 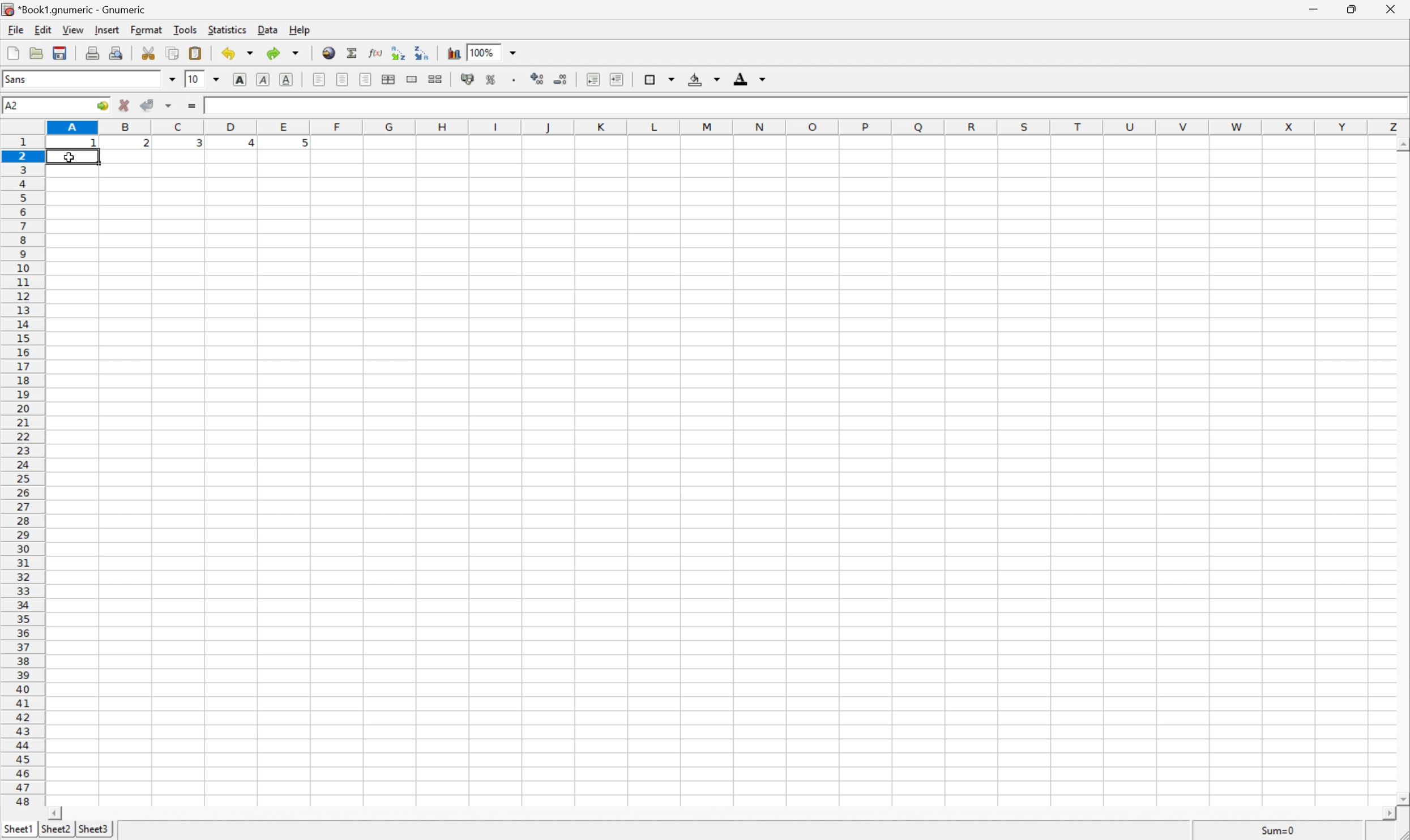 What do you see at coordinates (266, 29) in the screenshot?
I see `data` at bounding box center [266, 29].